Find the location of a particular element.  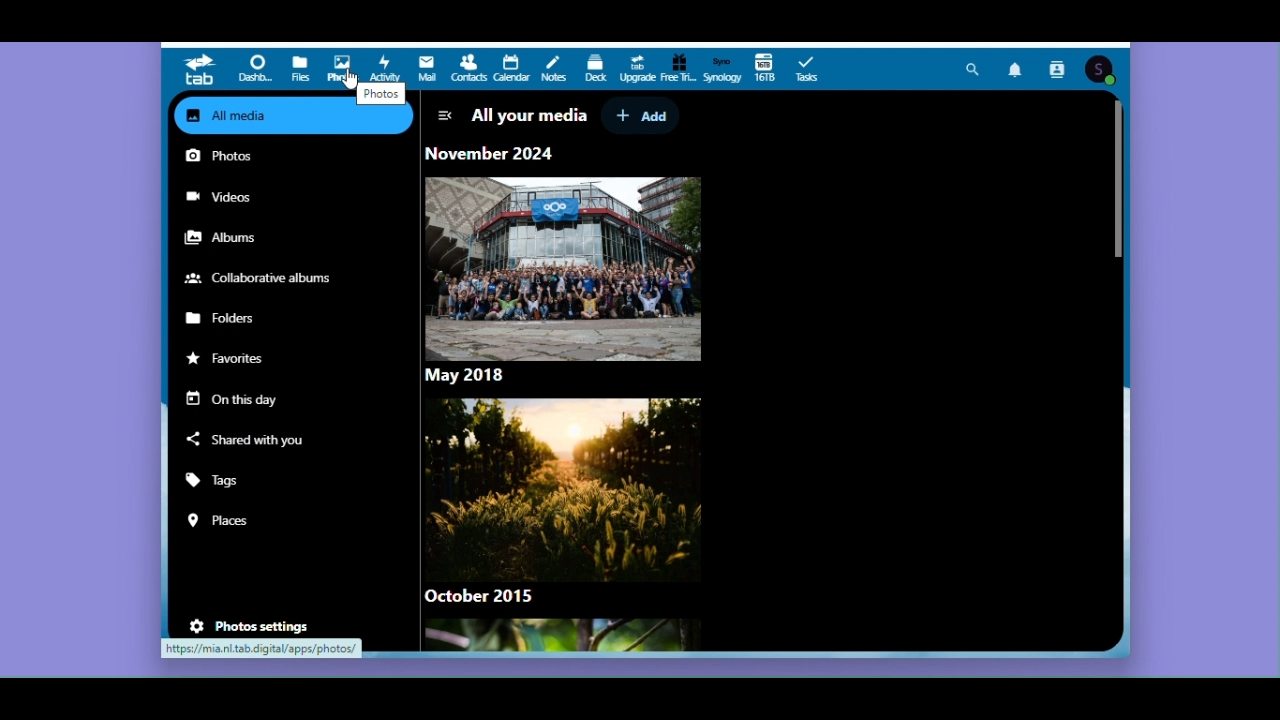

Places is located at coordinates (229, 522).